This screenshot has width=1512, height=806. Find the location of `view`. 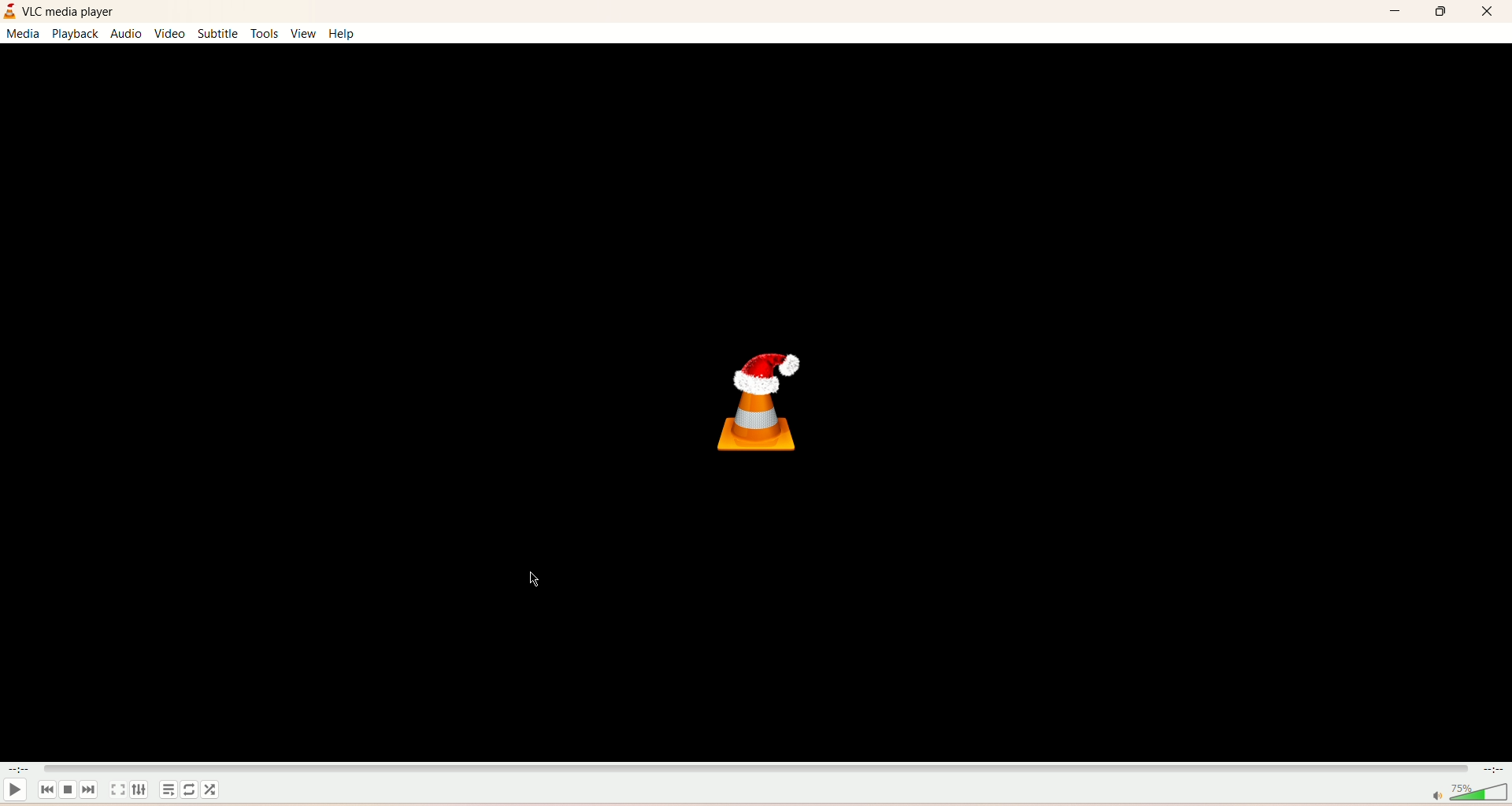

view is located at coordinates (303, 34).